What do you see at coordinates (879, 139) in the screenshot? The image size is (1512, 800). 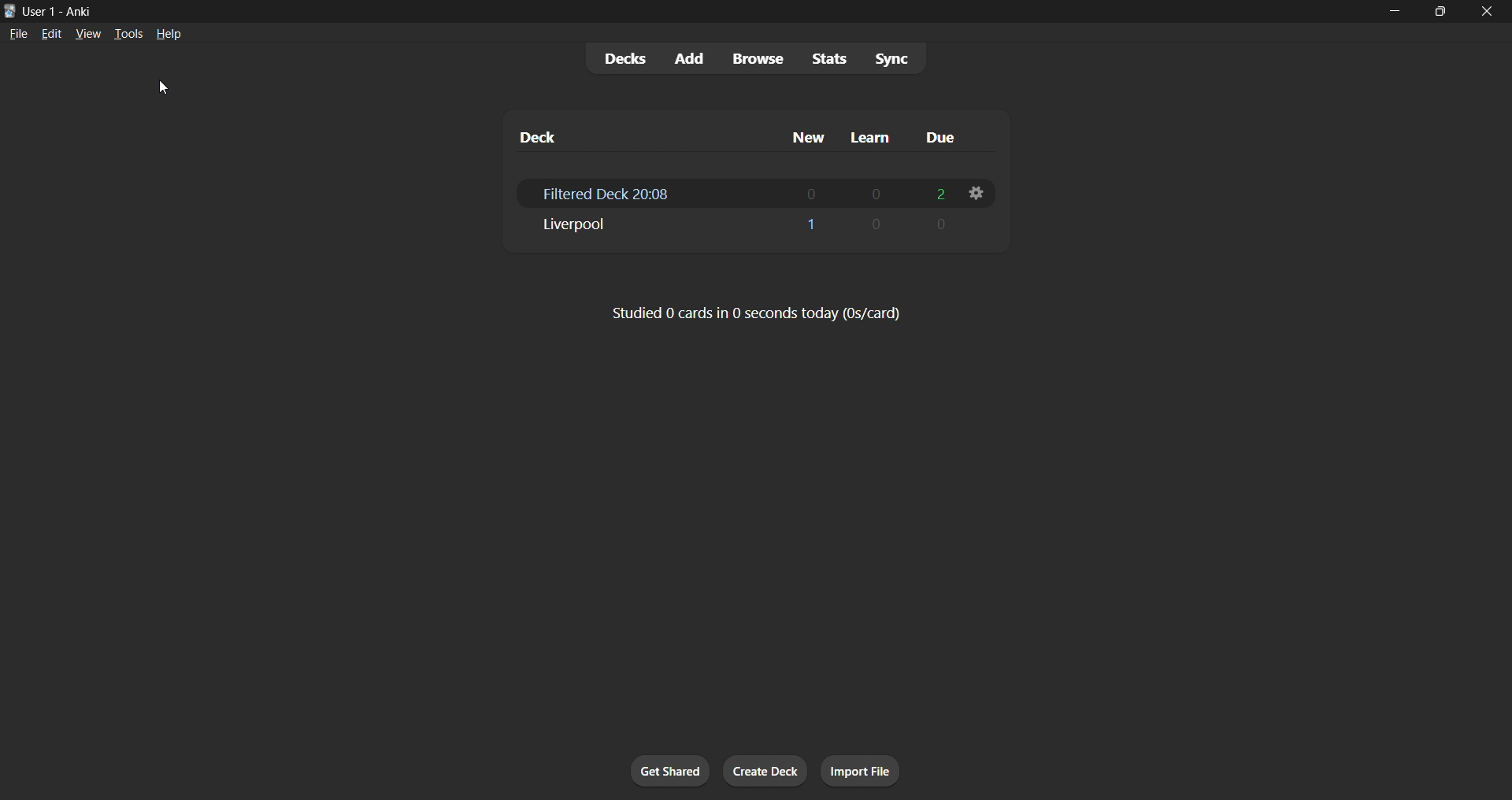 I see `learn column` at bounding box center [879, 139].